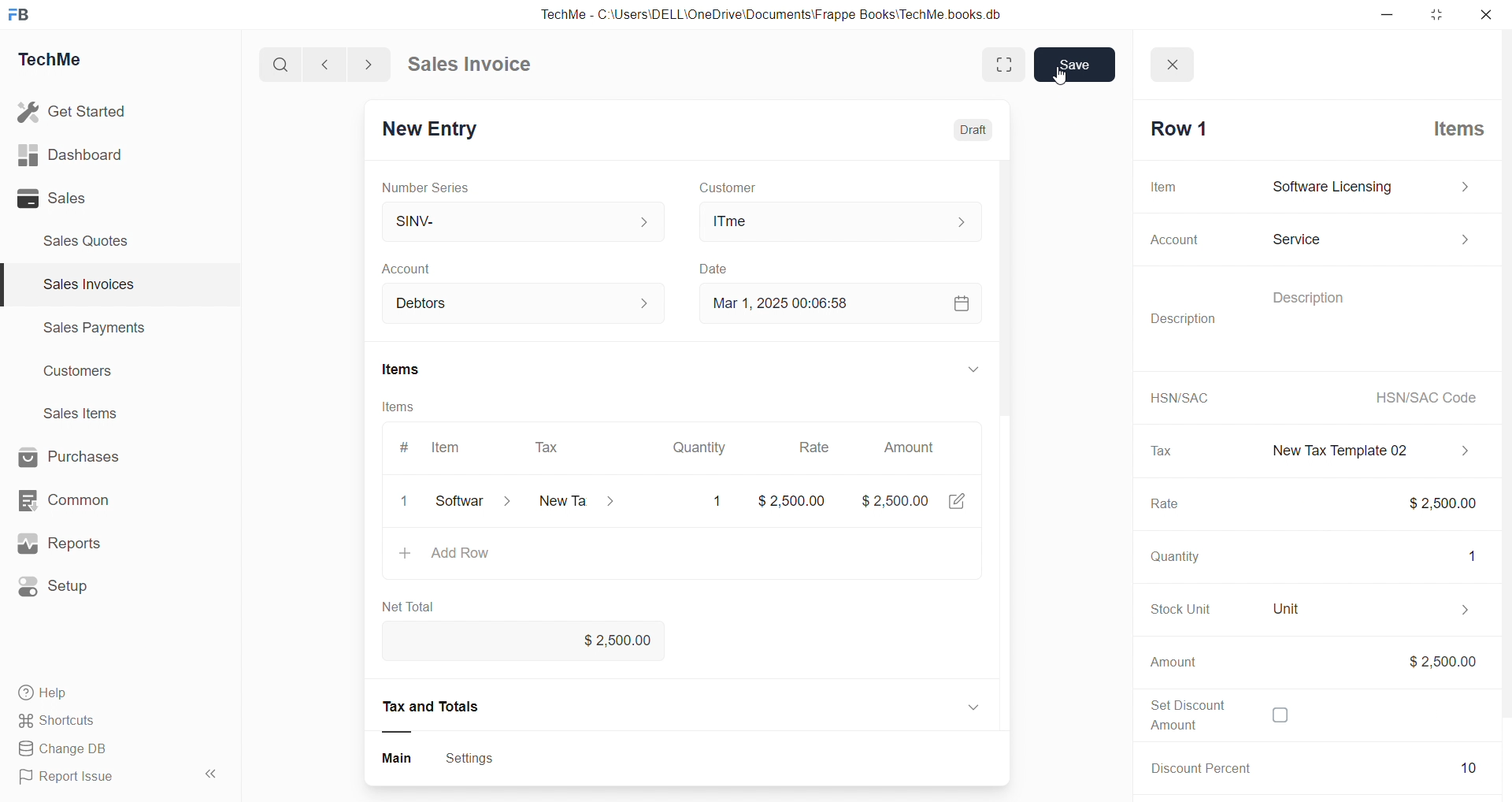  I want to click on Customer, so click(754, 186).